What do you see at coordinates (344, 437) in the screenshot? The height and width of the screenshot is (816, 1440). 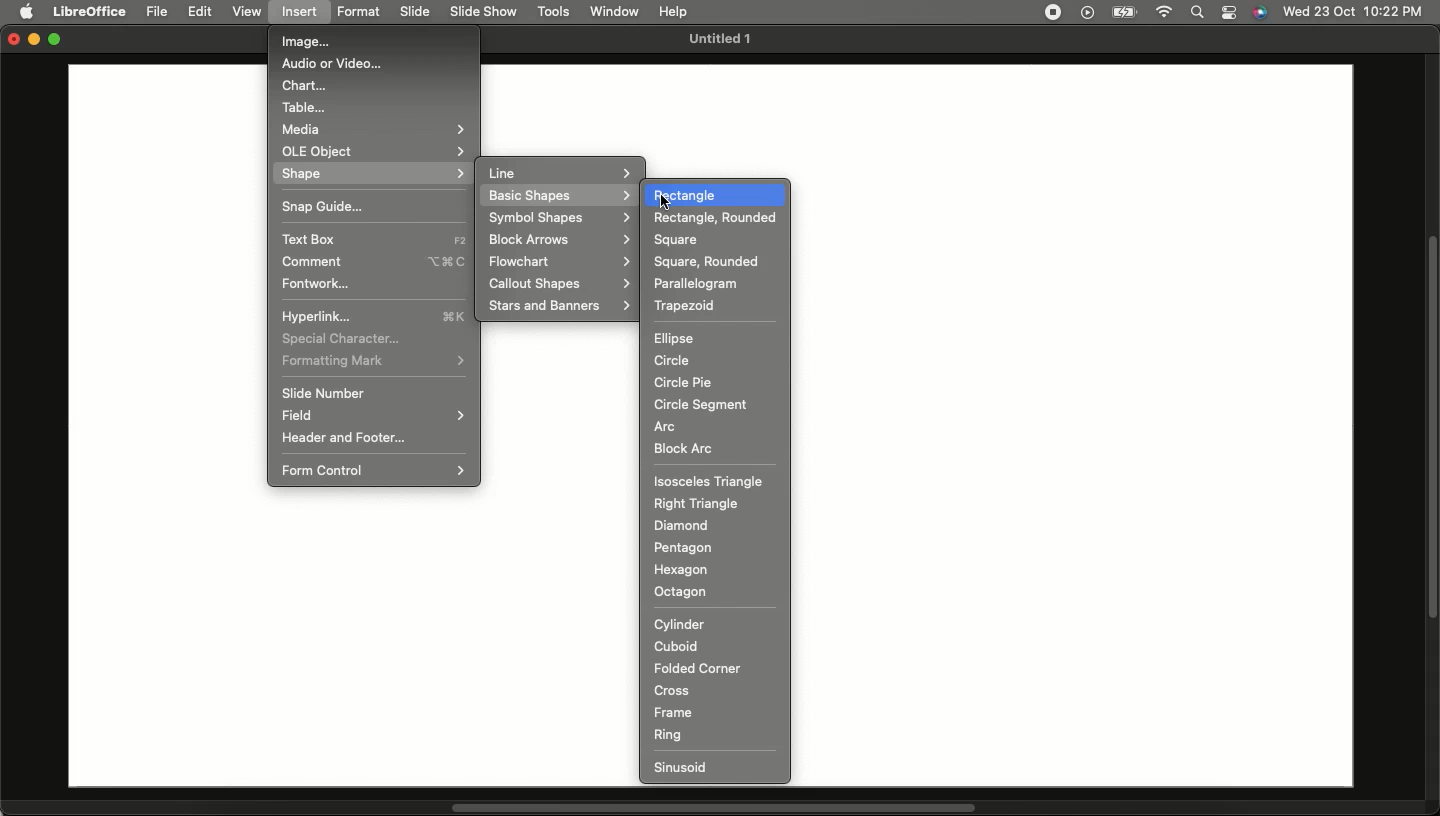 I see `Header and footer` at bounding box center [344, 437].